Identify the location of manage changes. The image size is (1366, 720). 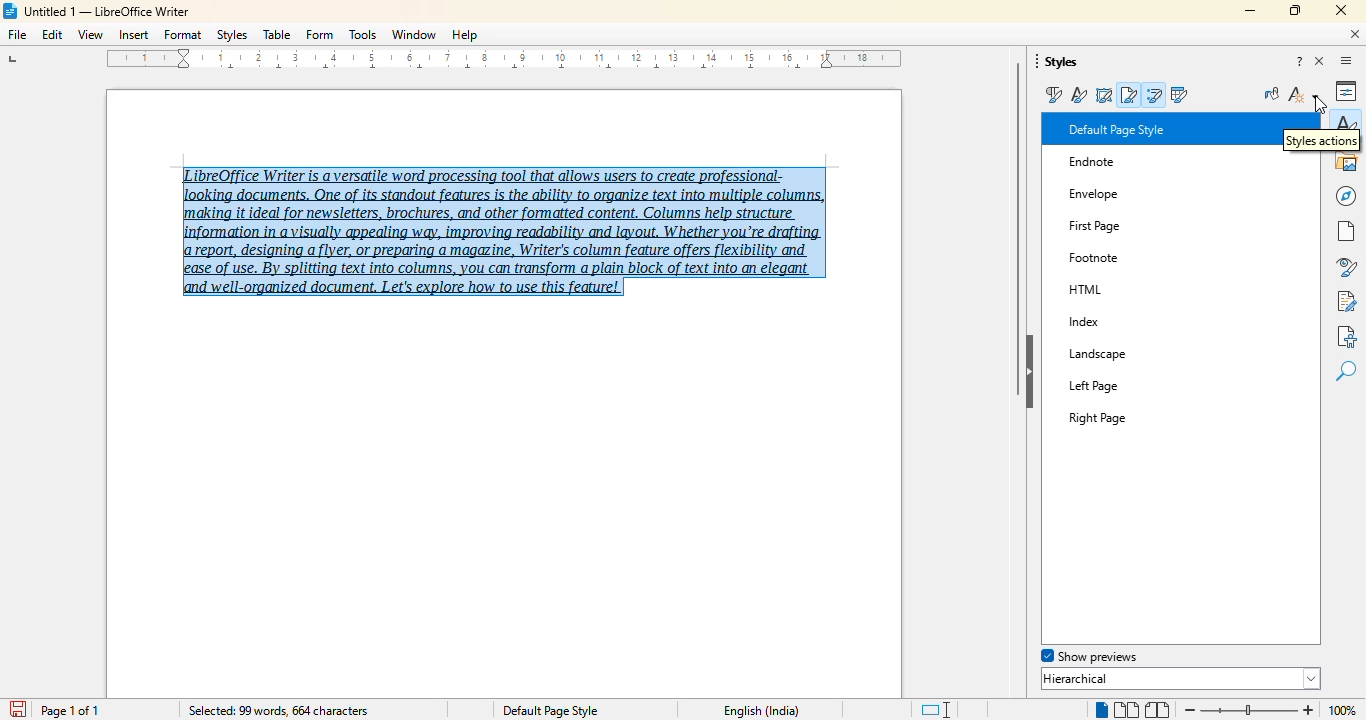
(1346, 301).